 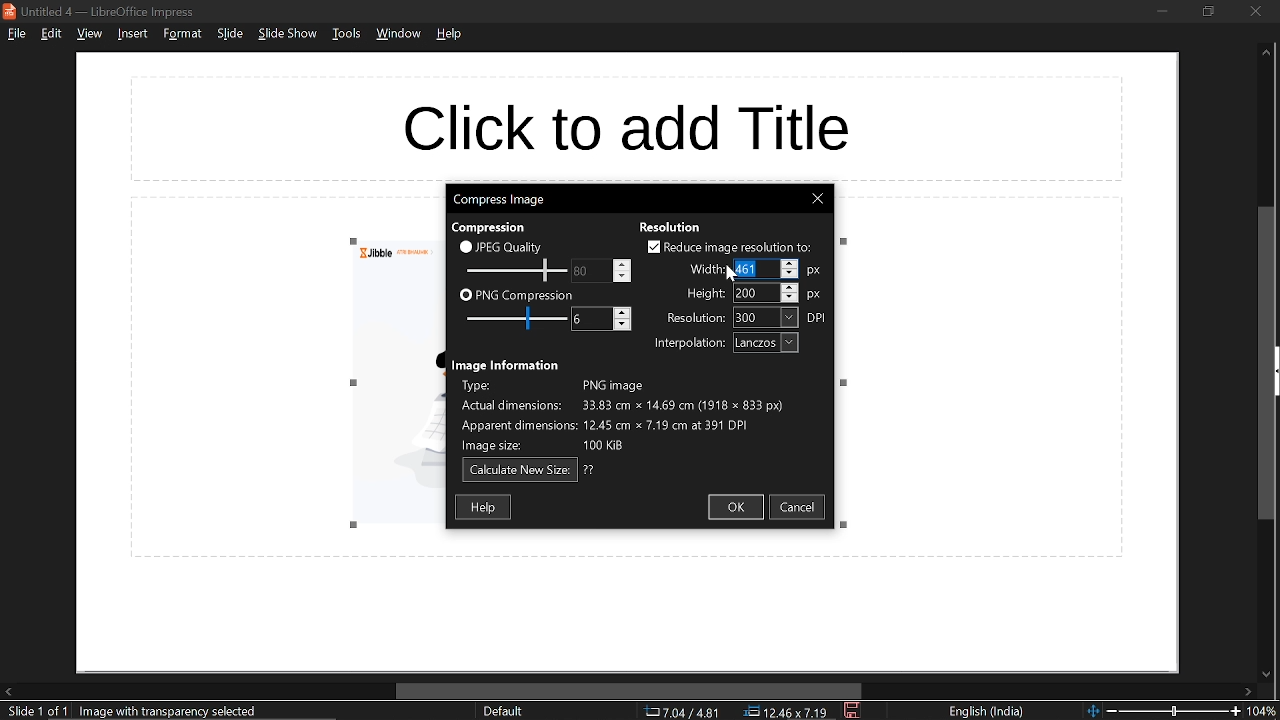 I want to click on sheet style, so click(x=502, y=712).